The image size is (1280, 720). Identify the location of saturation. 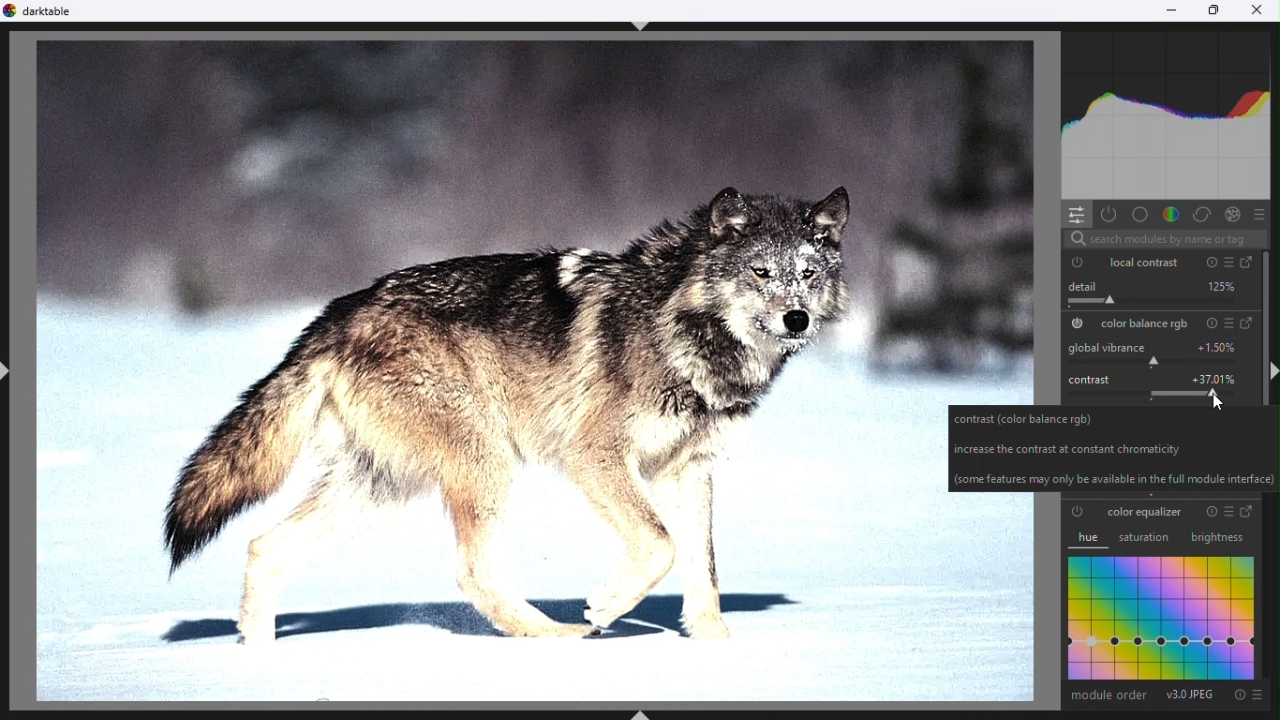
(1148, 538).